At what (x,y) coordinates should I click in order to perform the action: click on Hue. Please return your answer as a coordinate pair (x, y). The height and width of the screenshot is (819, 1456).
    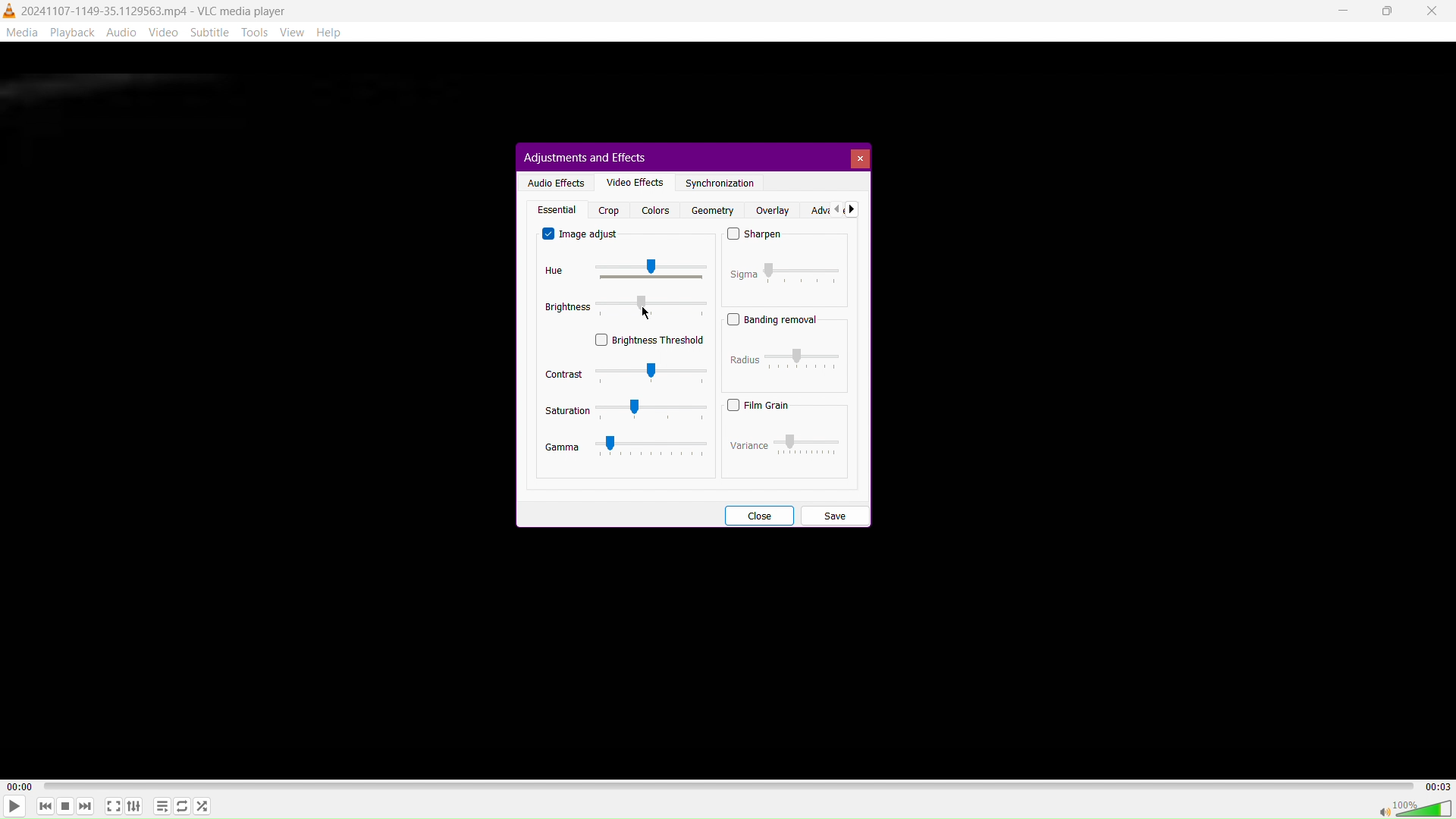
    Looking at the image, I should click on (619, 271).